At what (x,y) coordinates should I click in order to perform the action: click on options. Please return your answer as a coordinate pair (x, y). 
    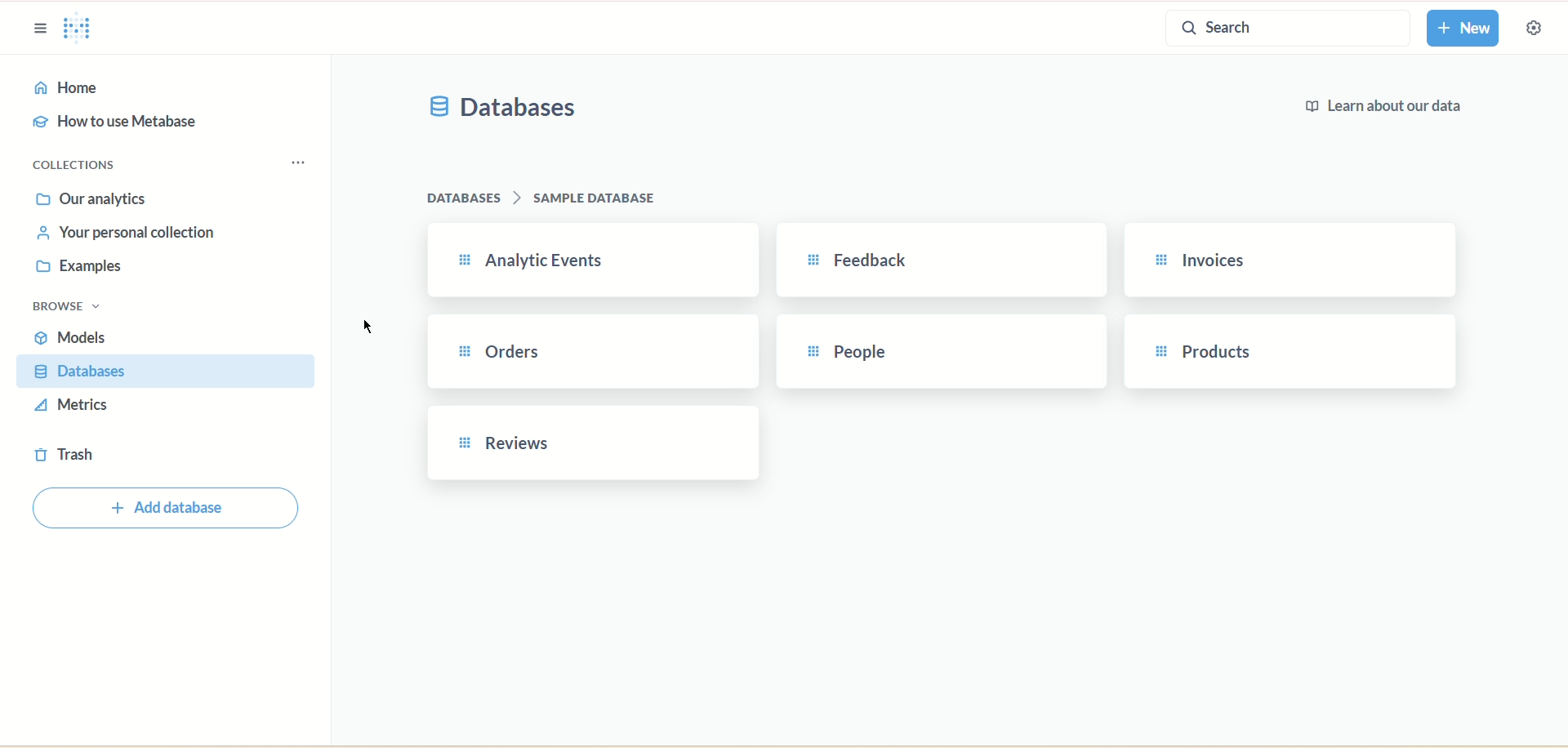
    Looking at the image, I should click on (300, 164).